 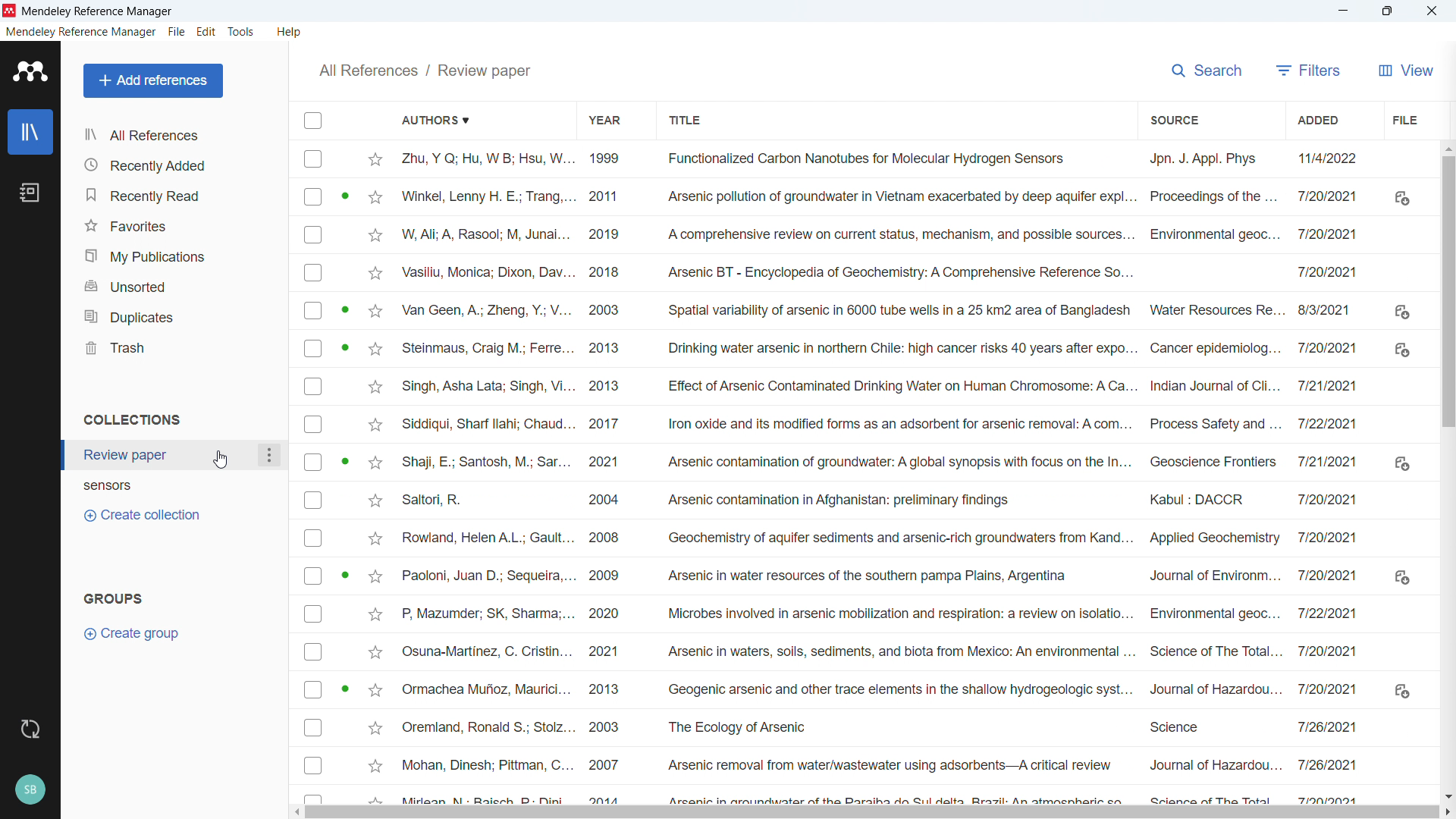 I want to click on Recently read , so click(x=177, y=196).